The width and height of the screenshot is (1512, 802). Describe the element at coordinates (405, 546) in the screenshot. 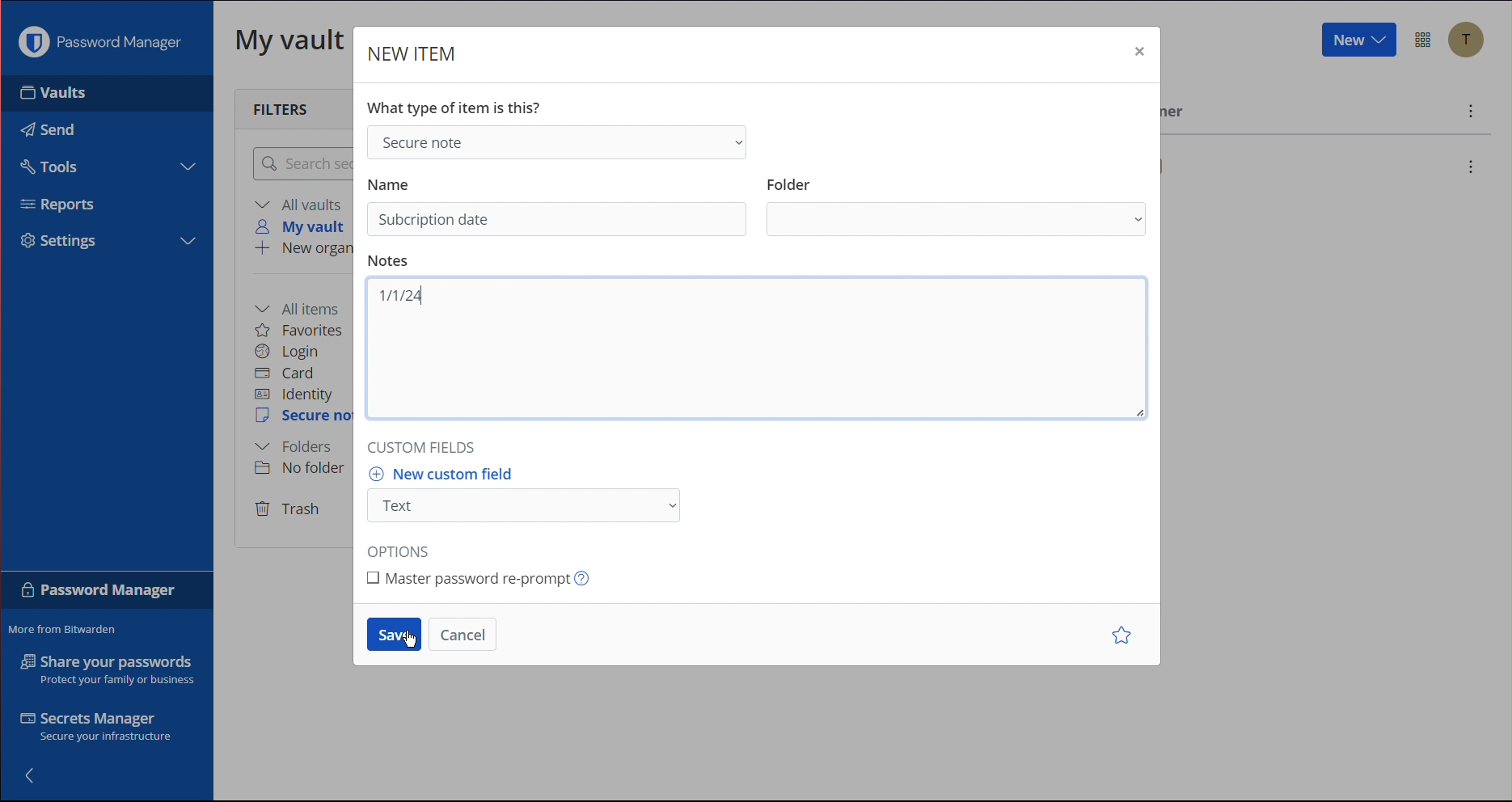

I see `Options` at that location.